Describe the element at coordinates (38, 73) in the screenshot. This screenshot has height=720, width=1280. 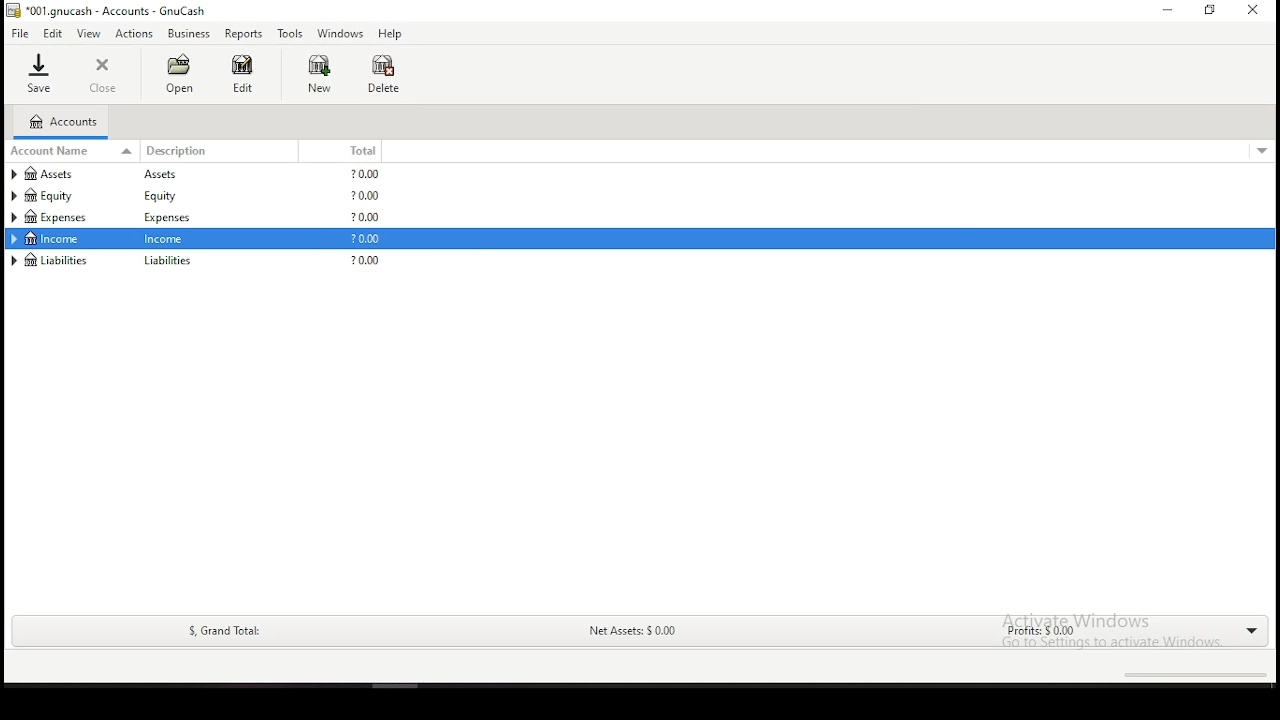
I see `save` at that location.